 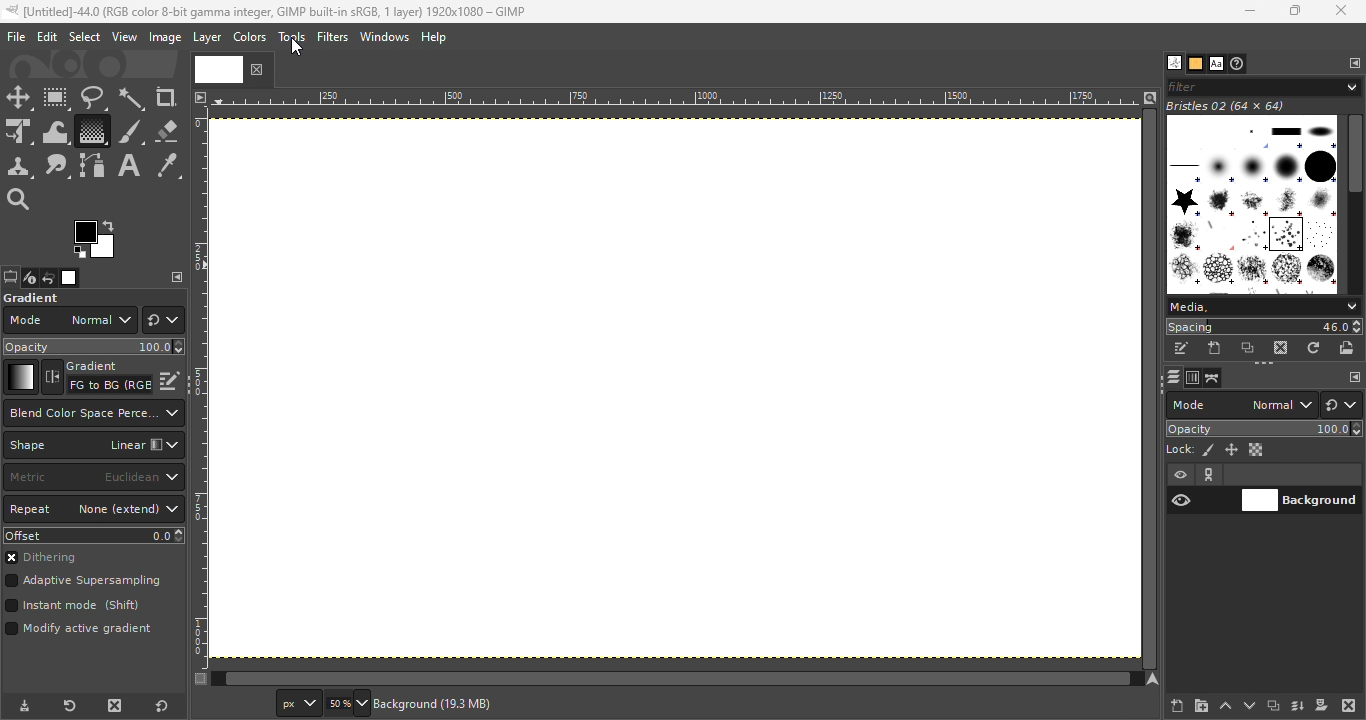 What do you see at coordinates (93, 478) in the screenshot?
I see `Matric to the use for the distance calculation` at bounding box center [93, 478].